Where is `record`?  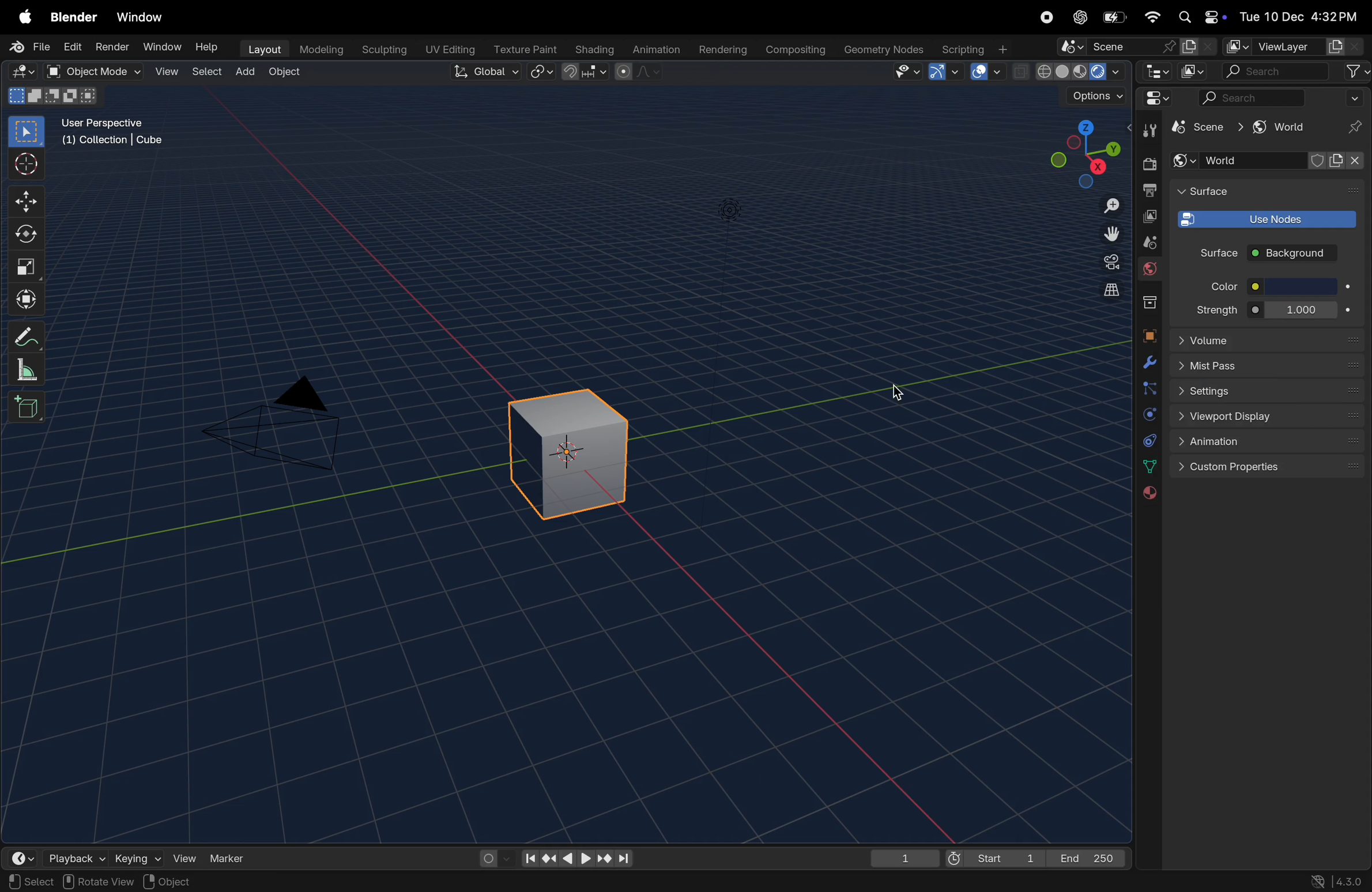
record is located at coordinates (1050, 19).